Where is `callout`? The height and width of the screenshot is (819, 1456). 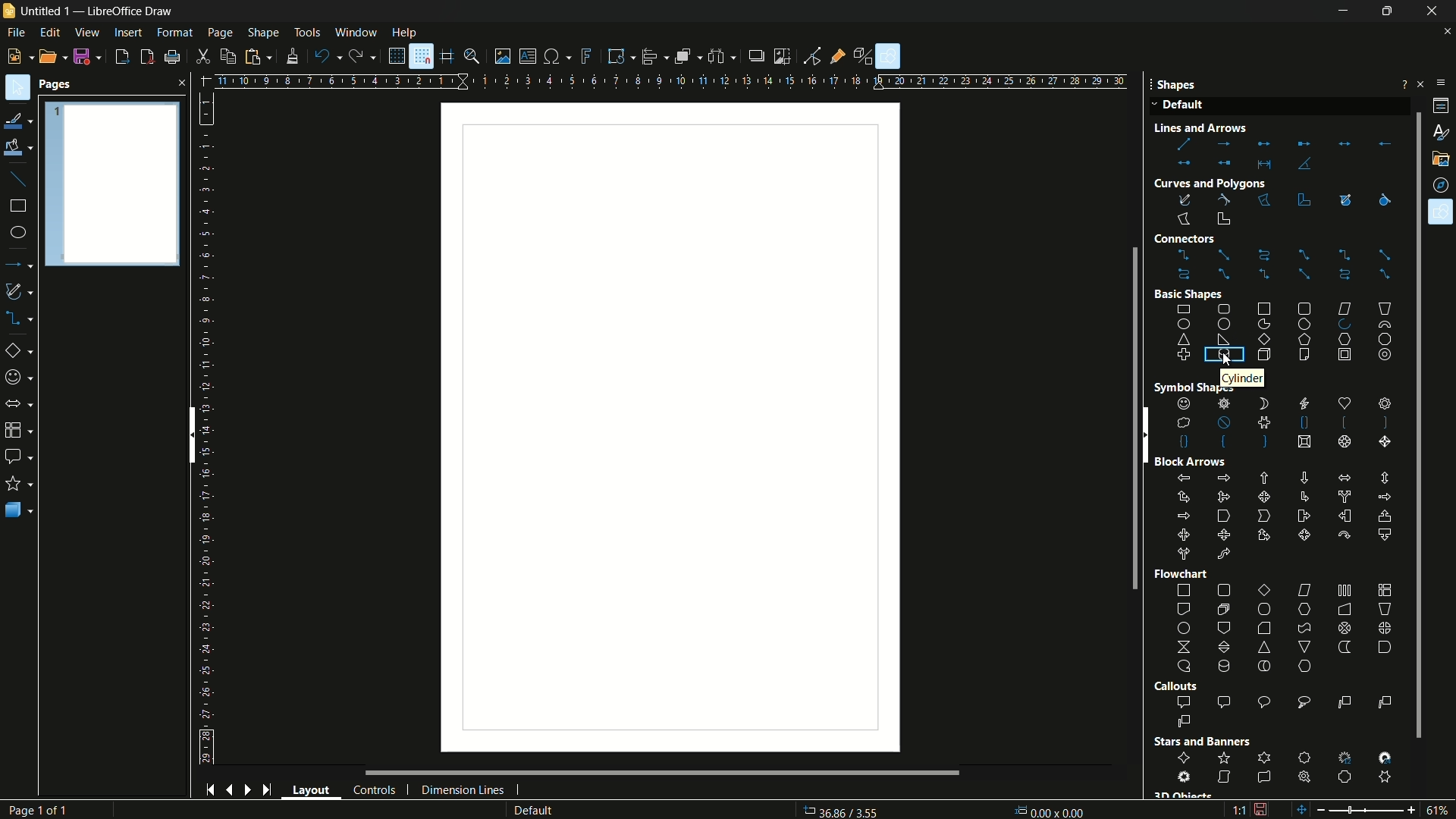 callout is located at coordinates (1286, 713).